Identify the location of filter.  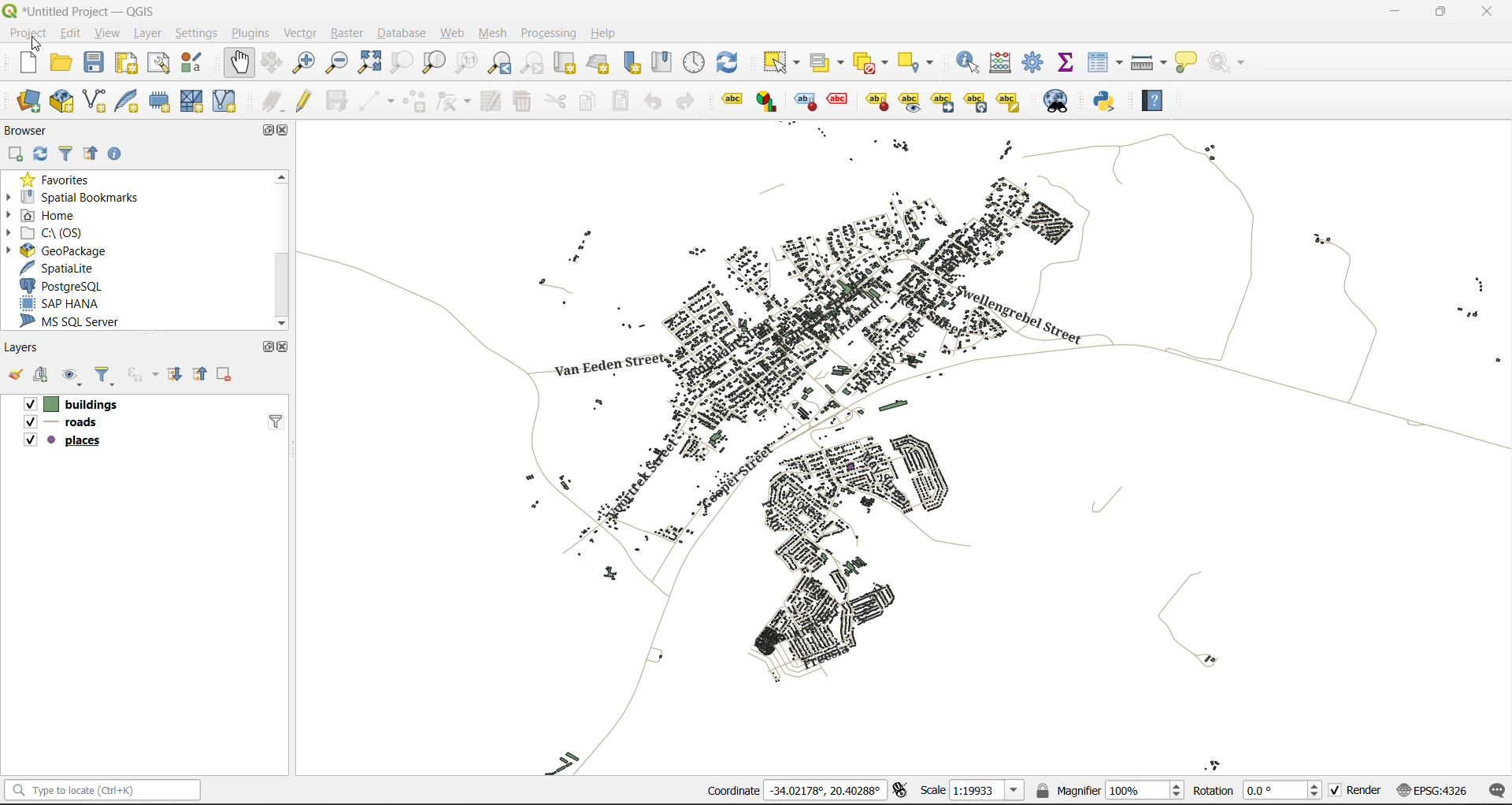
(104, 378).